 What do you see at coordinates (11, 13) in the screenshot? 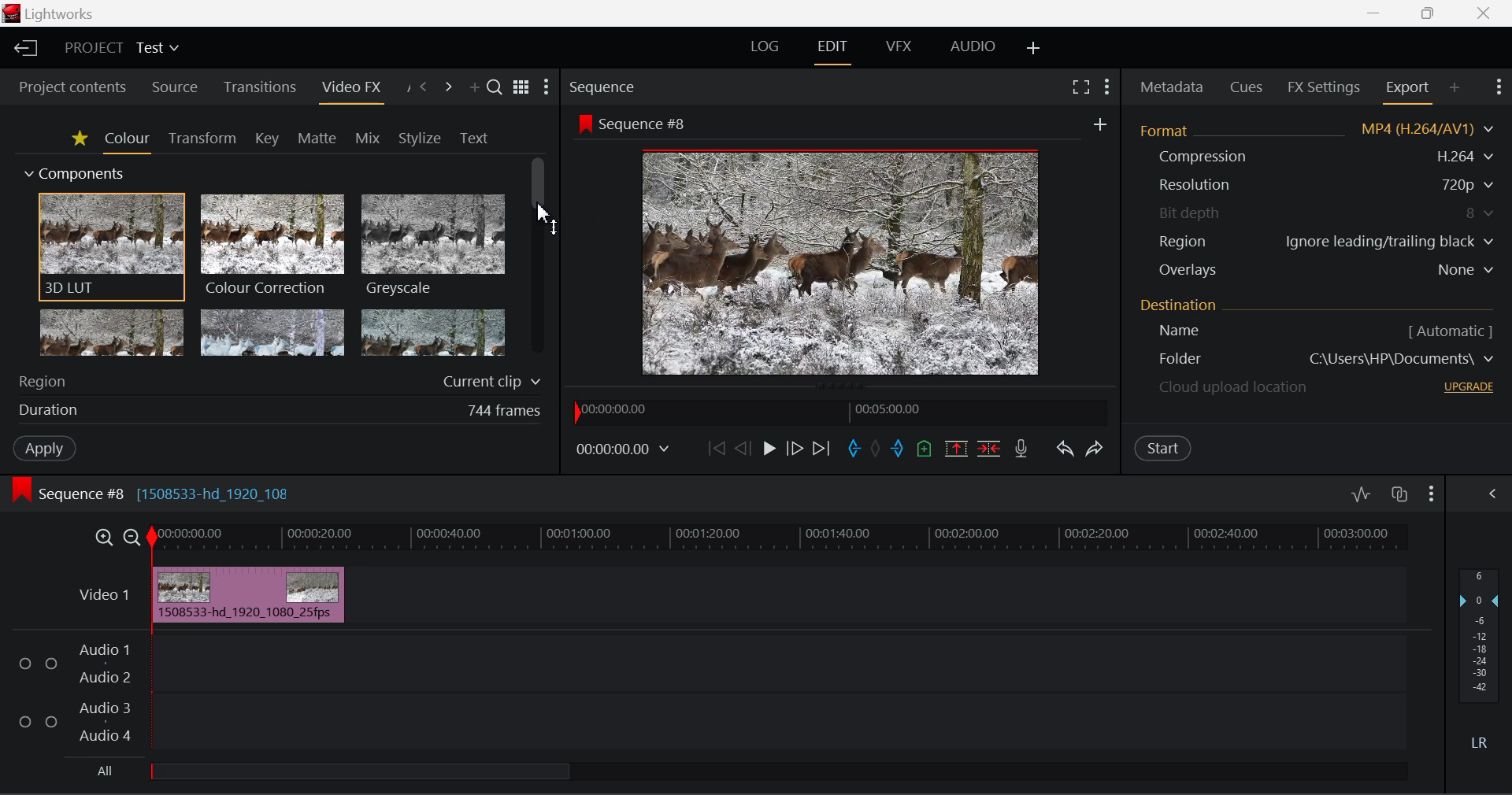
I see `logo` at bounding box center [11, 13].